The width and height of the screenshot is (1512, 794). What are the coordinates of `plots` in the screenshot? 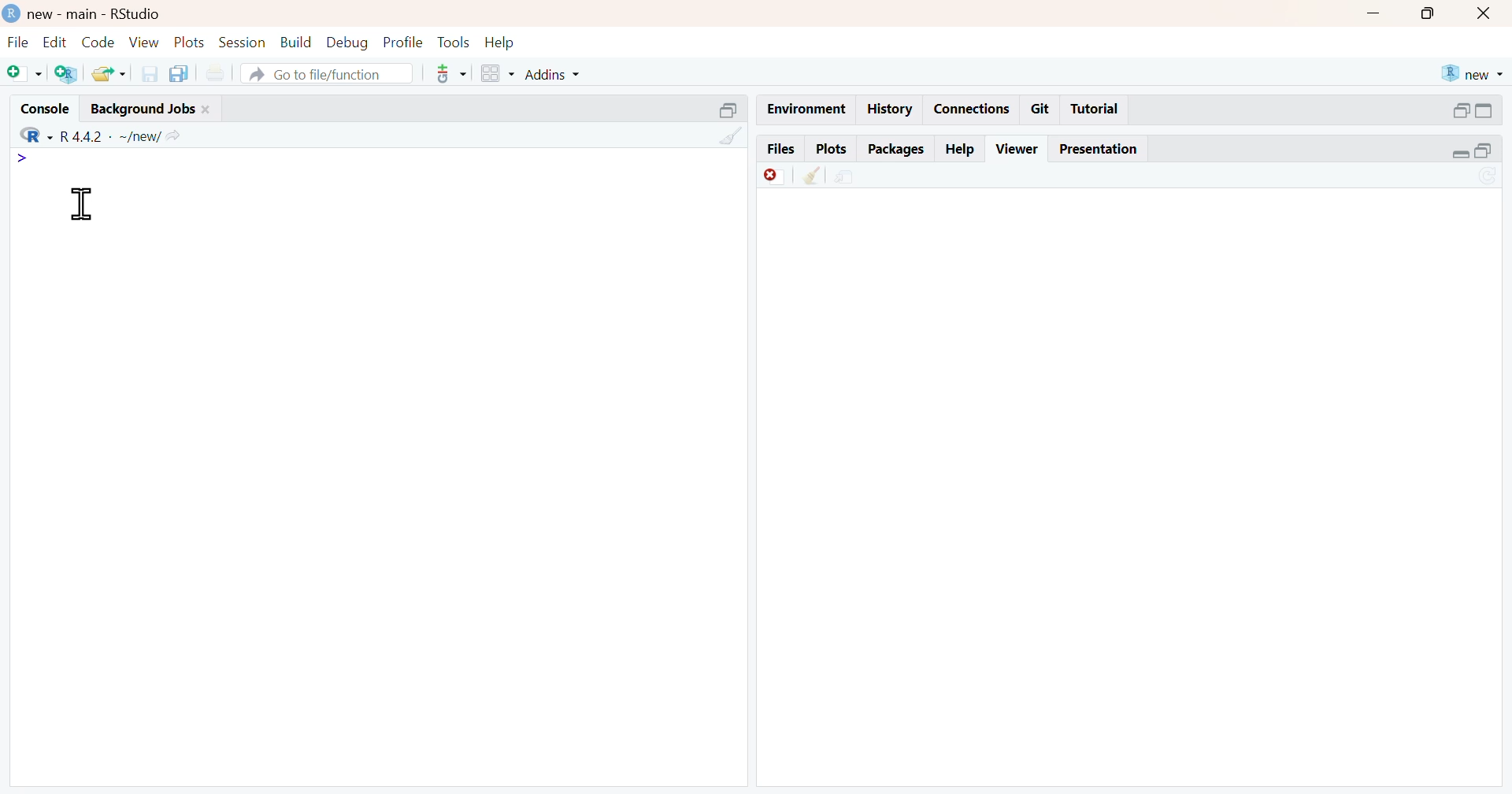 It's located at (190, 43).